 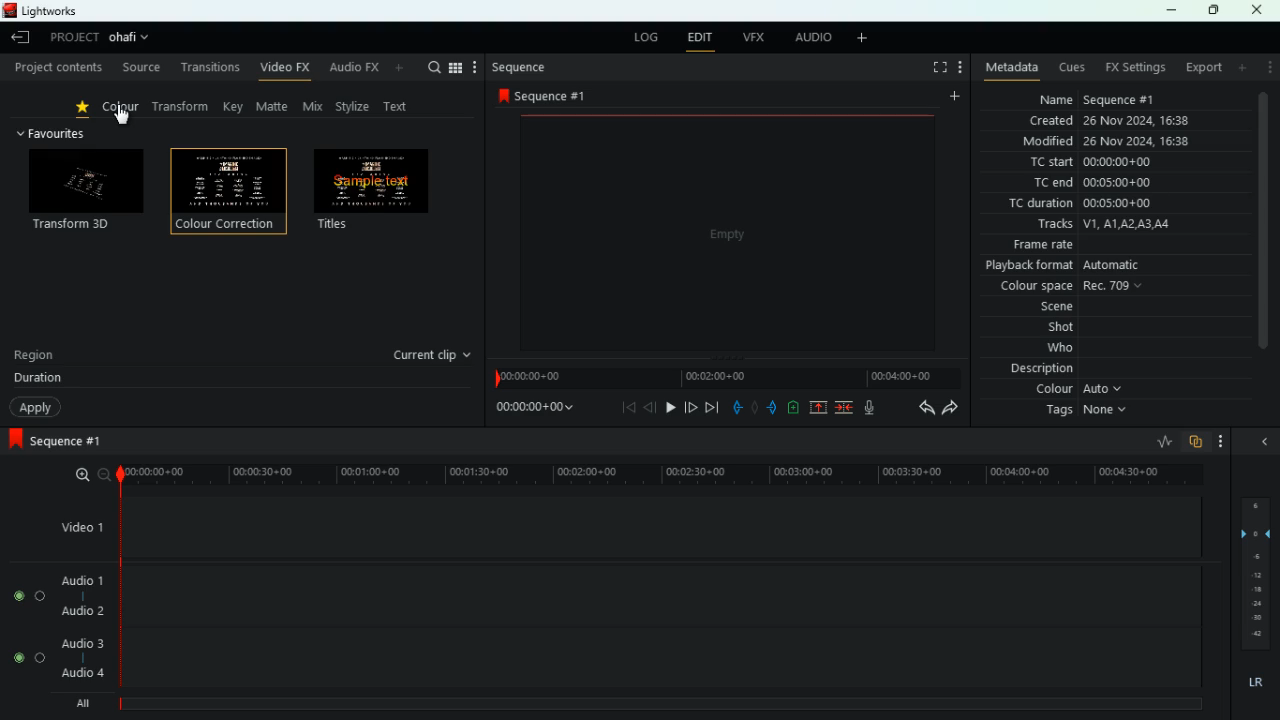 I want to click on stylize, so click(x=355, y=108).